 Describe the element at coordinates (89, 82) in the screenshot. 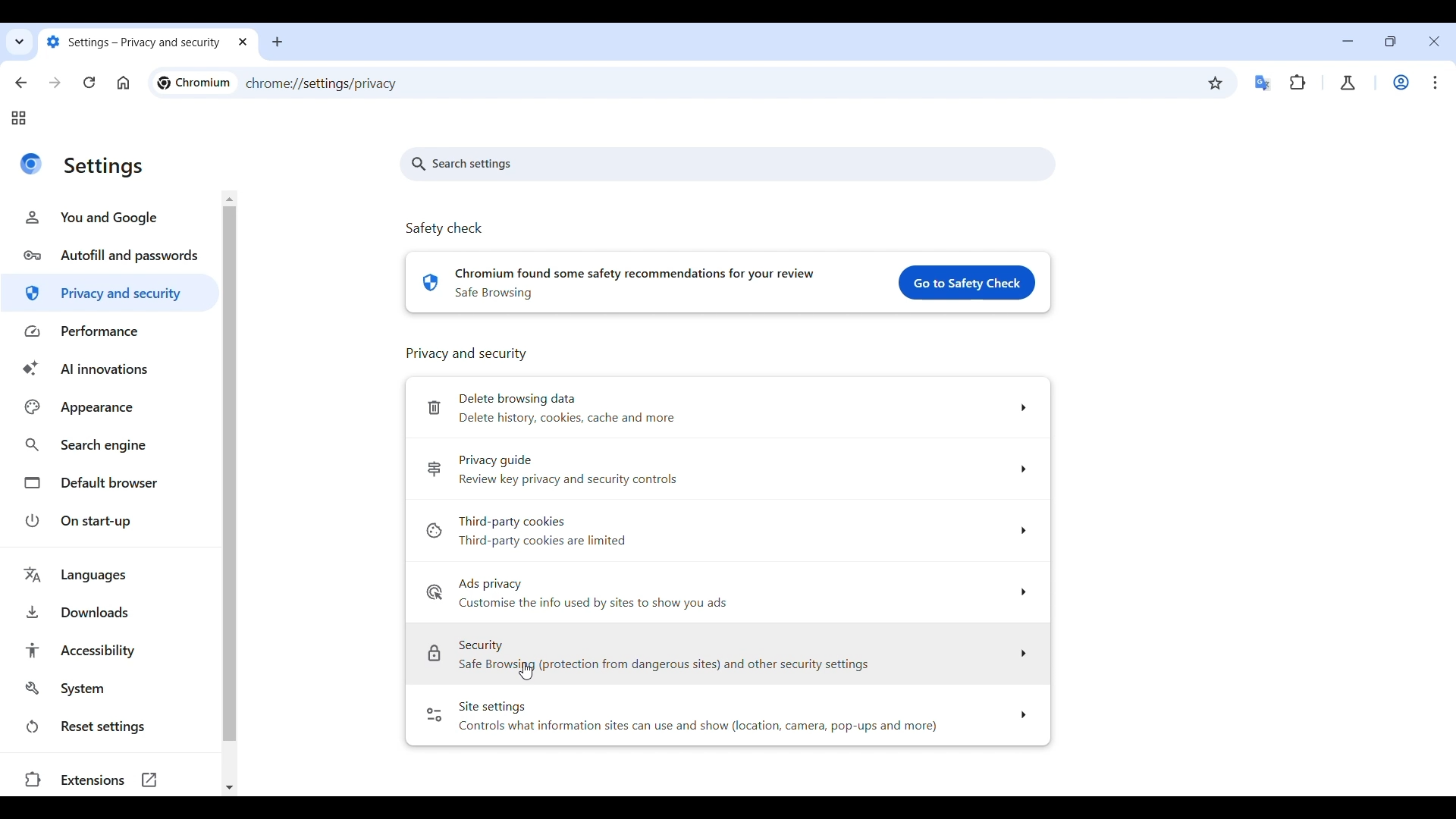

I see `Reload page` at that location.